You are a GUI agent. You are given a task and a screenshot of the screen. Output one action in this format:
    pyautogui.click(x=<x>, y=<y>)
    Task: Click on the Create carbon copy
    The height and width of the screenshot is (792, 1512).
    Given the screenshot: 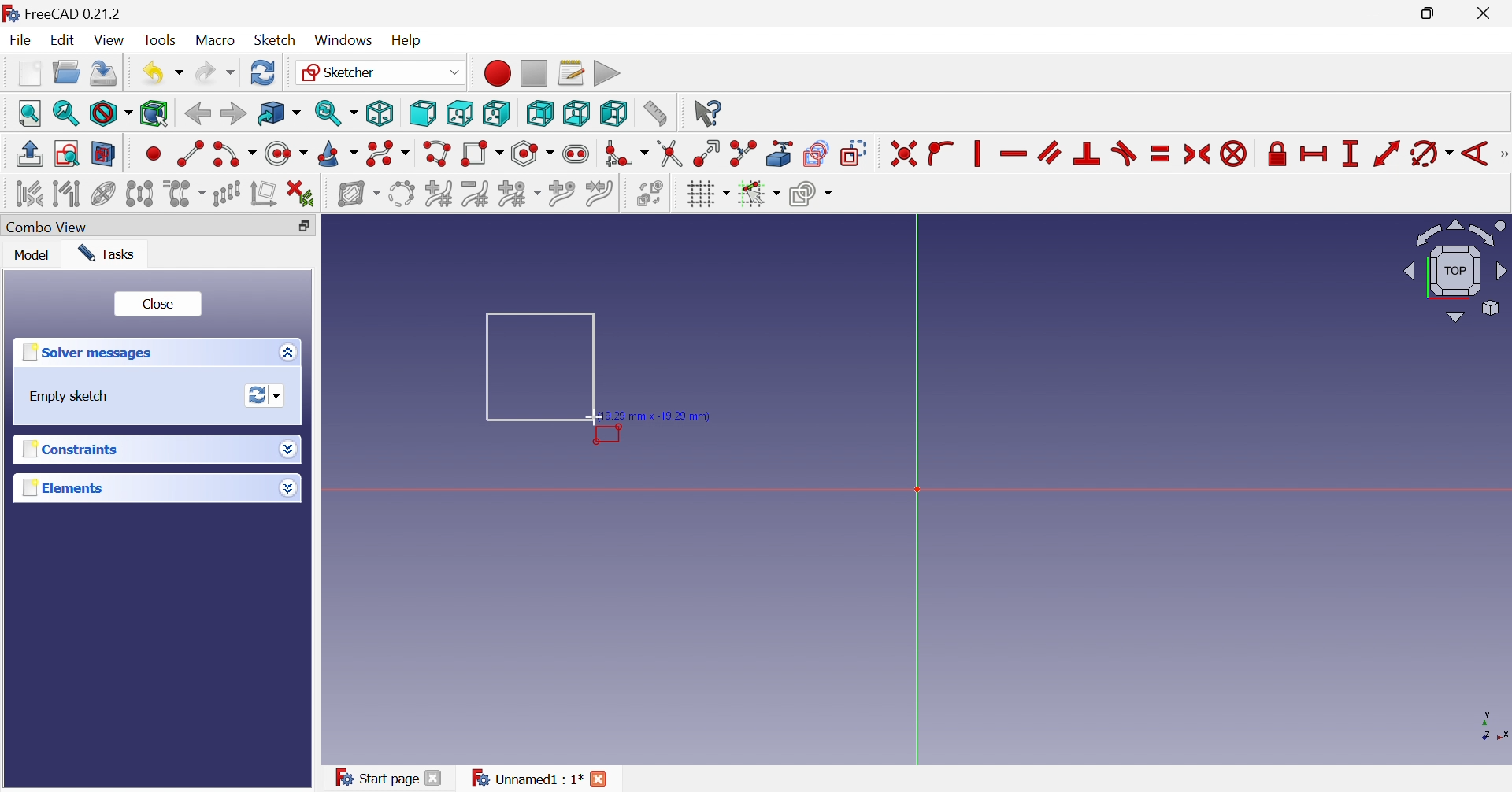 What is the action you would take?
    pyautogui.click(x=816, y=153)
    